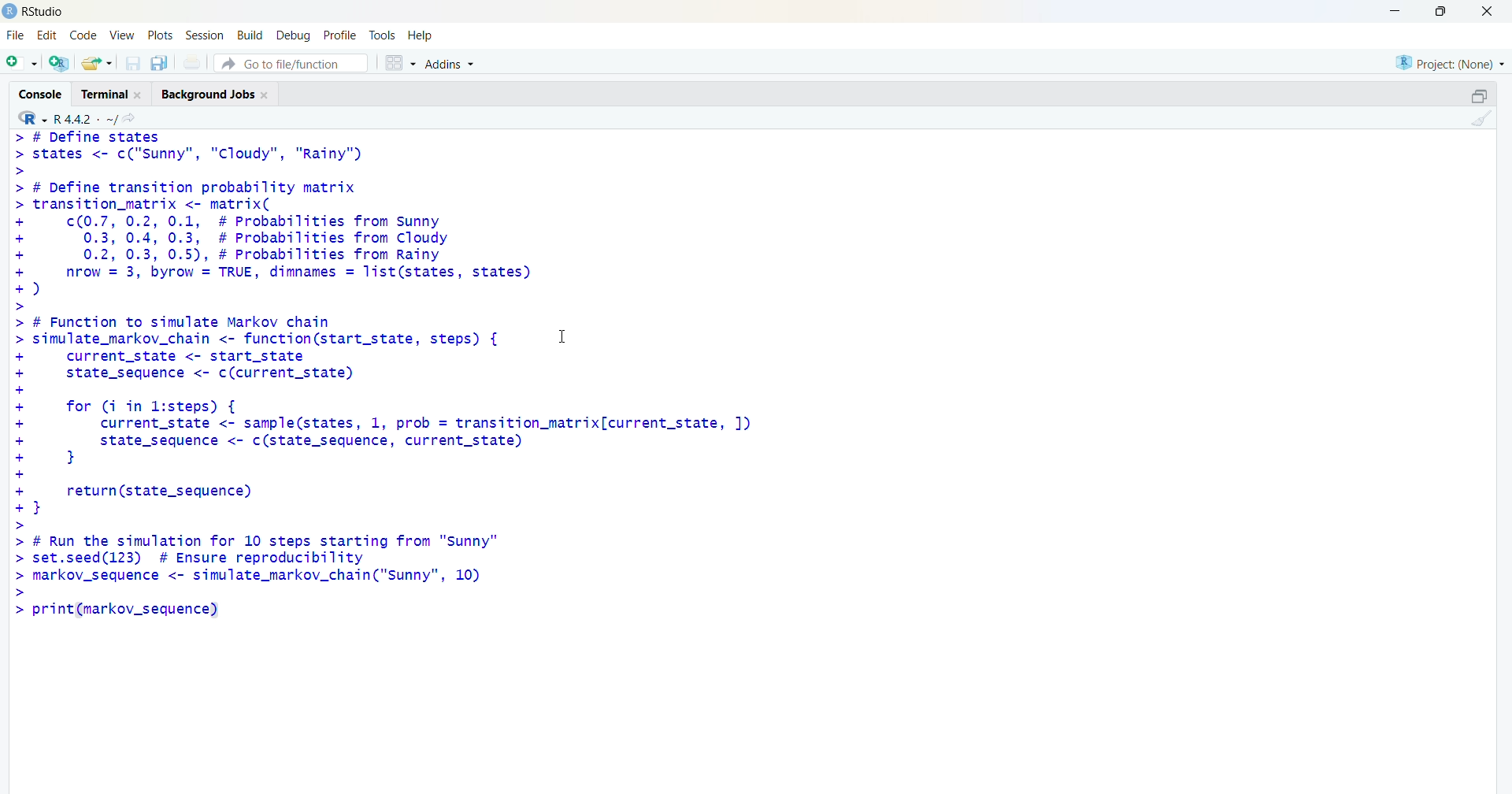 The image size is (1512, 794). I want to click on create a project, so click(57, 64).